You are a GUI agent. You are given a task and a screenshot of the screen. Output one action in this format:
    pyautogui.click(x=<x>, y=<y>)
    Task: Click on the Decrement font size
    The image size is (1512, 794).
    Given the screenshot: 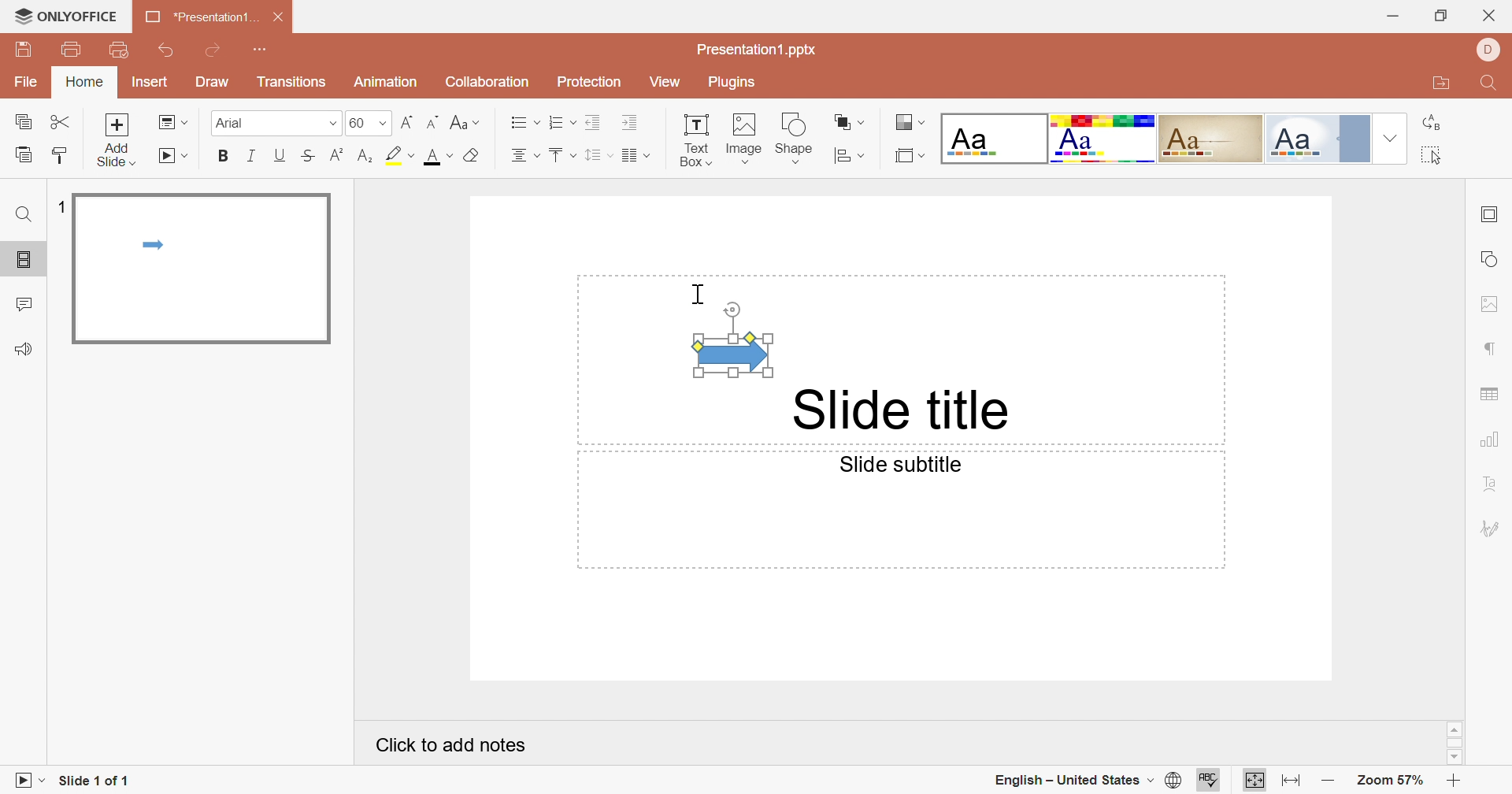 What is the action you would take?
    pyautogui.click(x=434, y=122)
    